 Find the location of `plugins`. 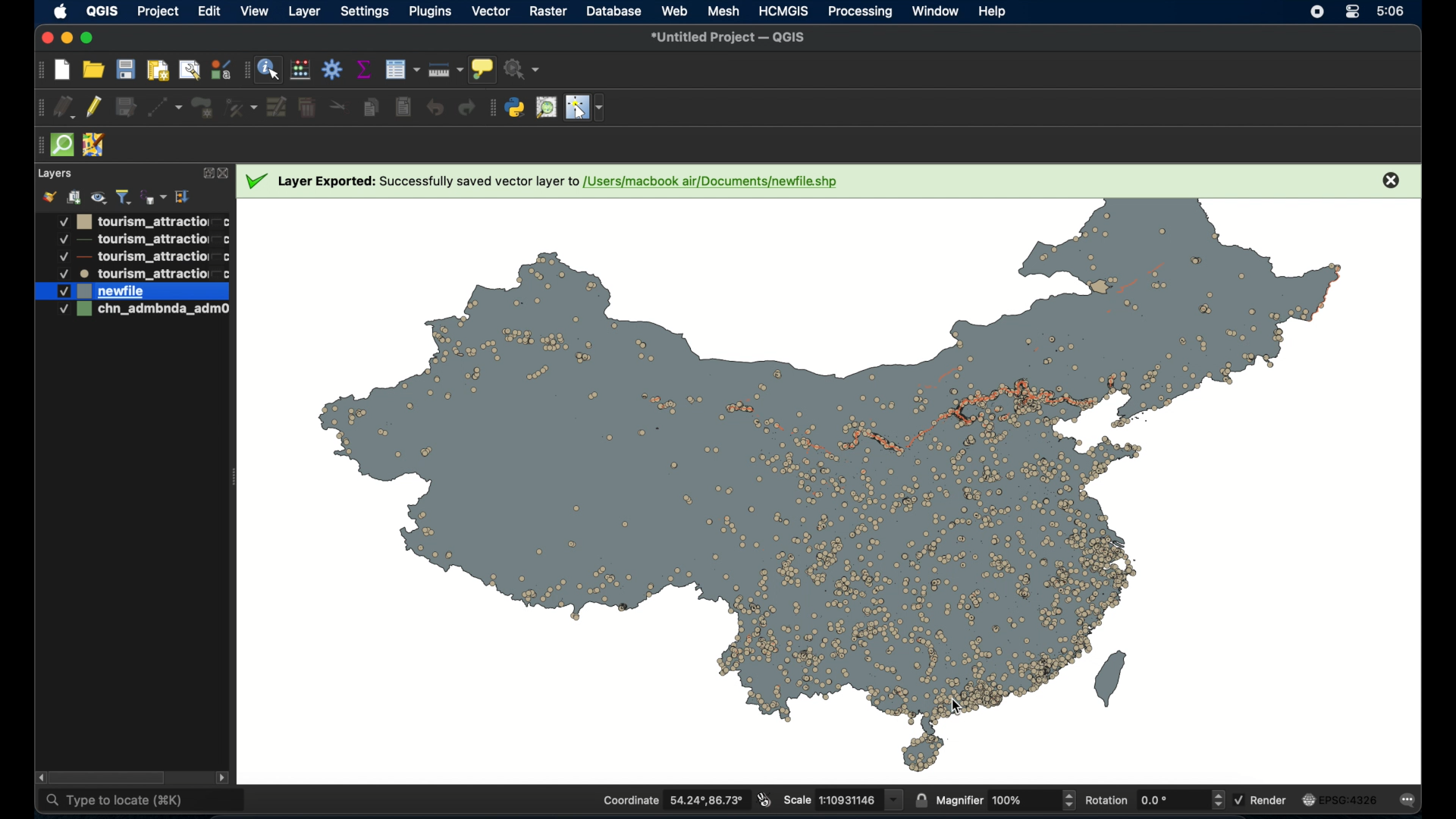

plugins is located at coordinates (432, 12).